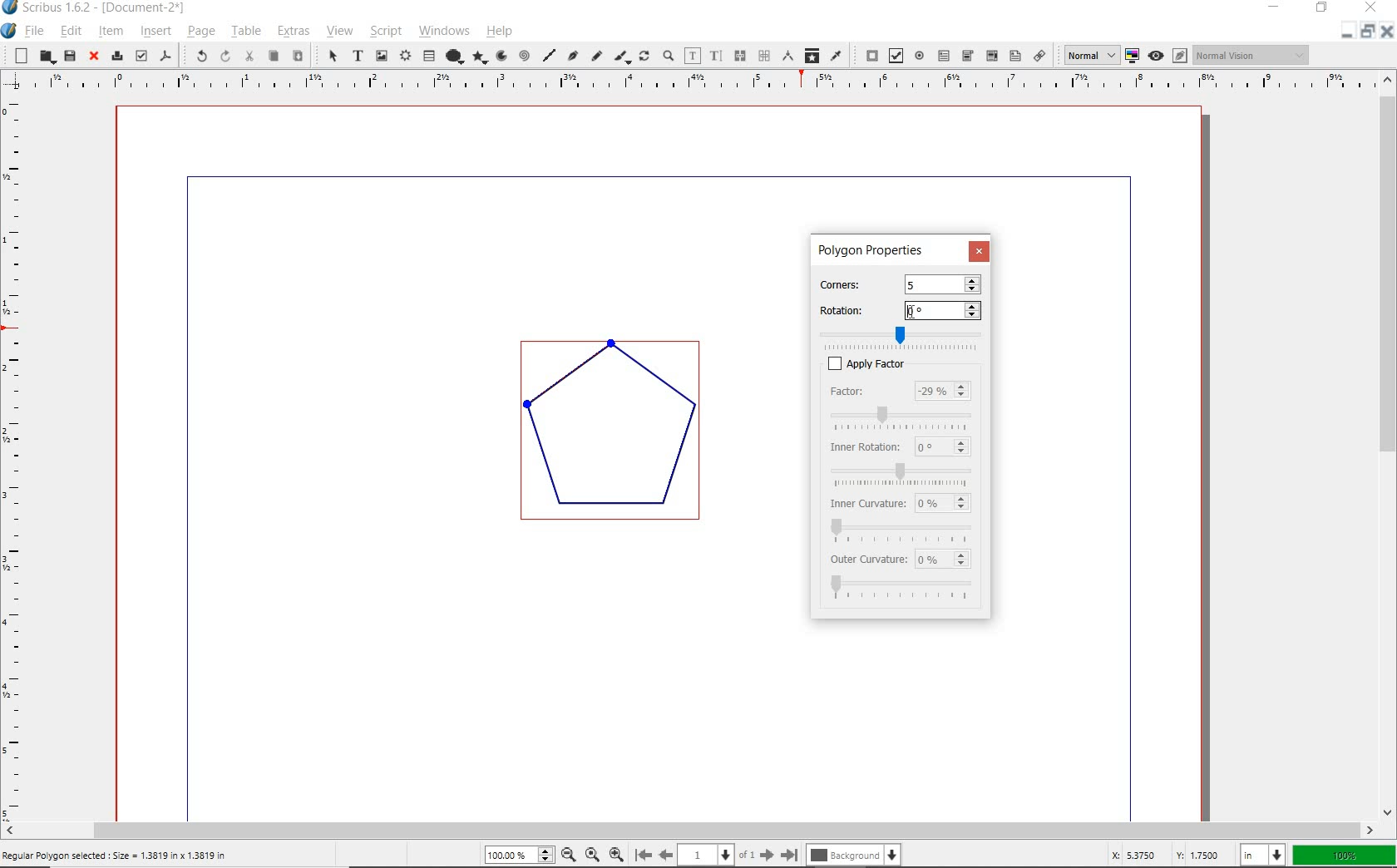 The image size is (1397, 868). What do you see at coordinates (380, 55) in the screenshot?
I see `image frame` at bounding box center [380, 55].